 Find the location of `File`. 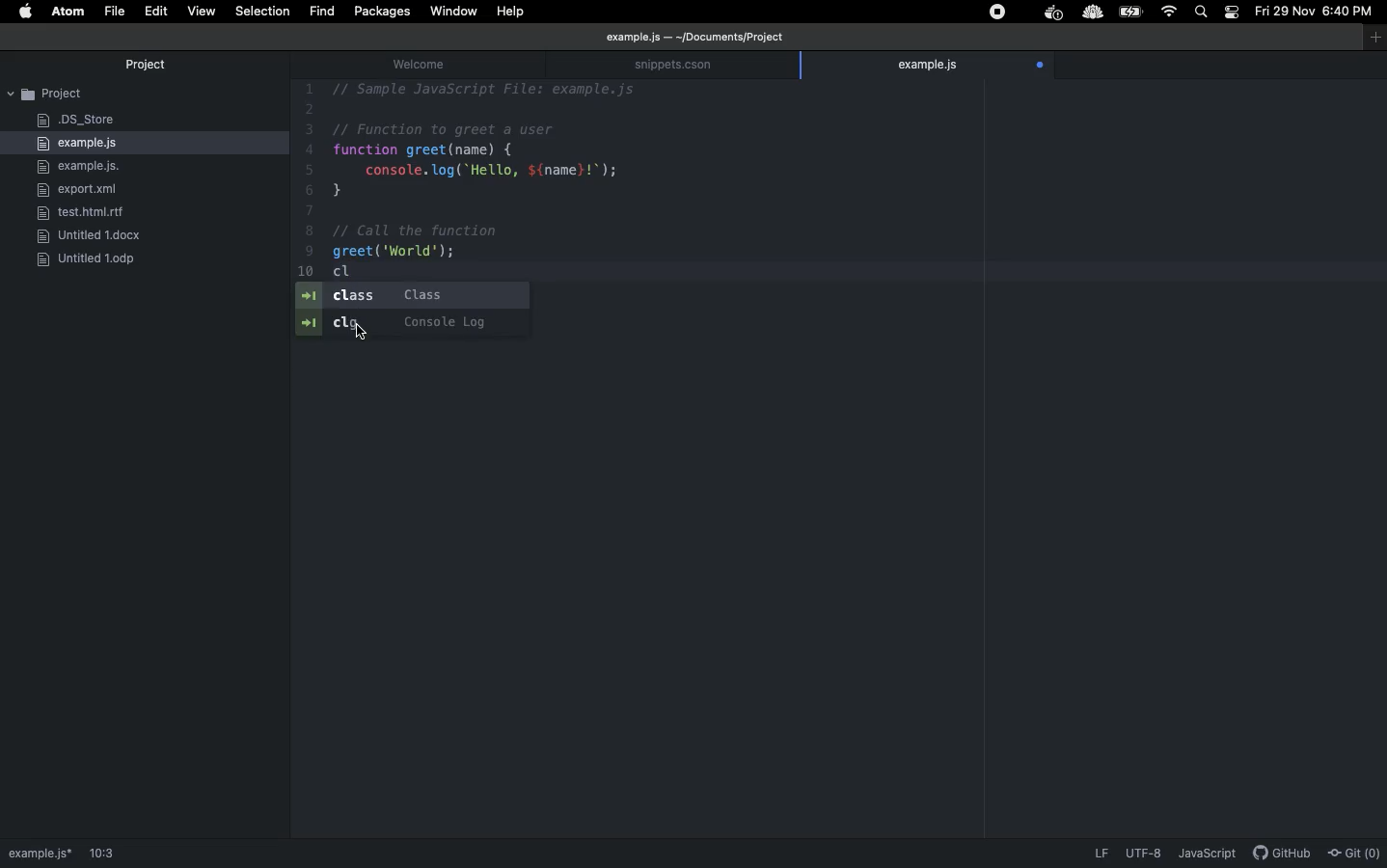

File is located at coordinates (115, 12).